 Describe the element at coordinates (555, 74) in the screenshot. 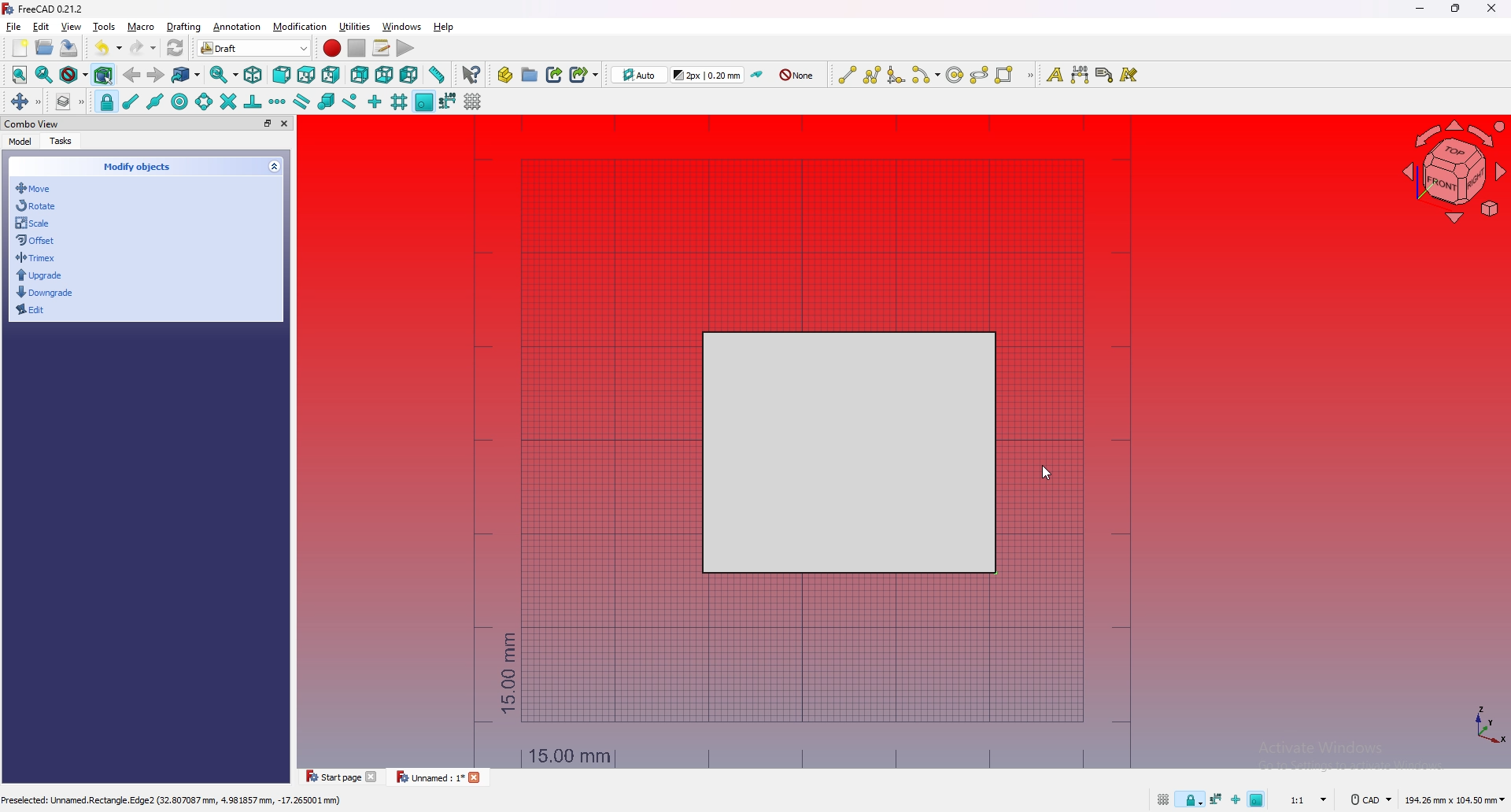

I see `create link` at that location.